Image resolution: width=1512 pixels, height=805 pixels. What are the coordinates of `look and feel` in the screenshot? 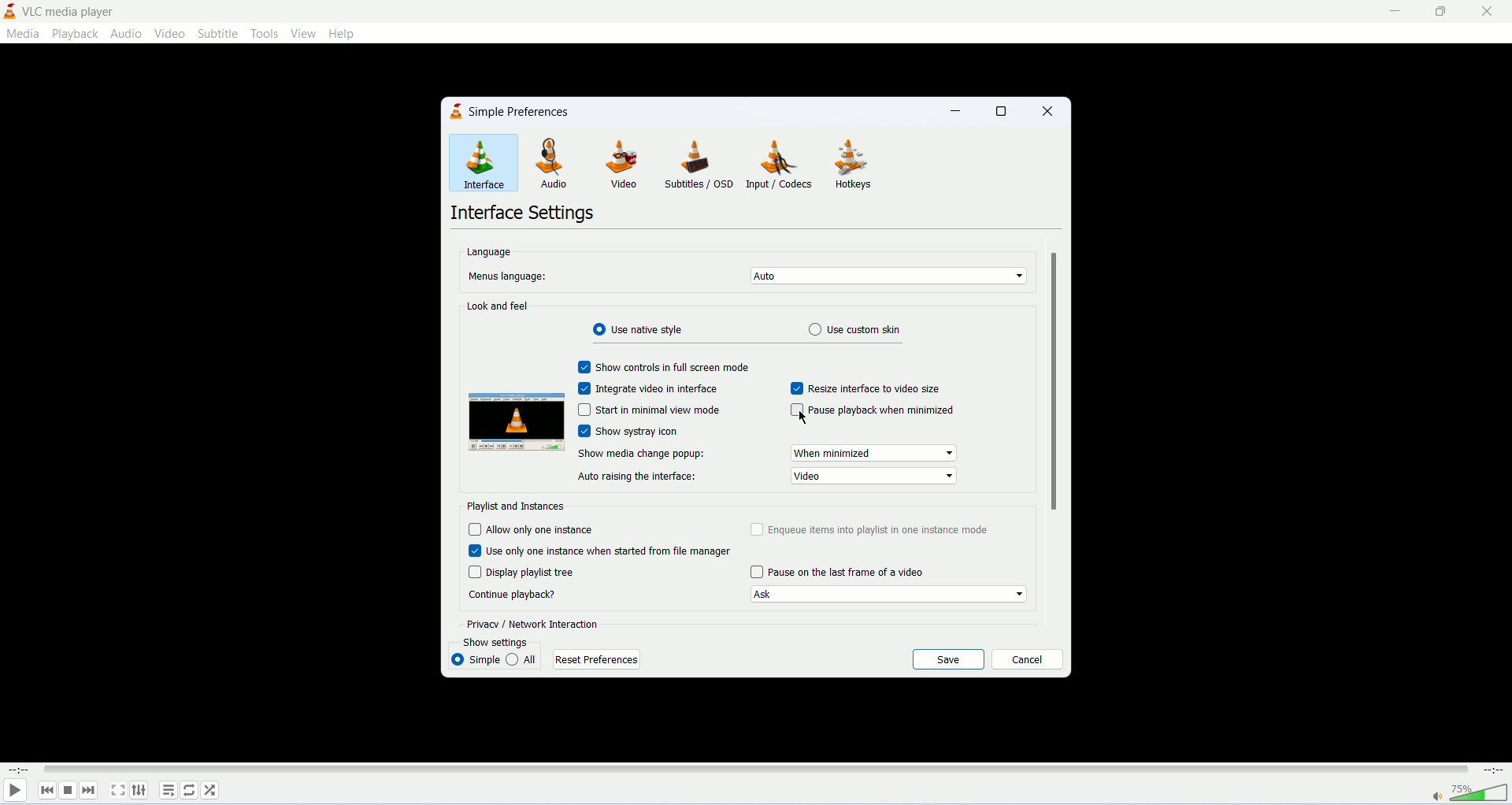 It's located at (495, 307).